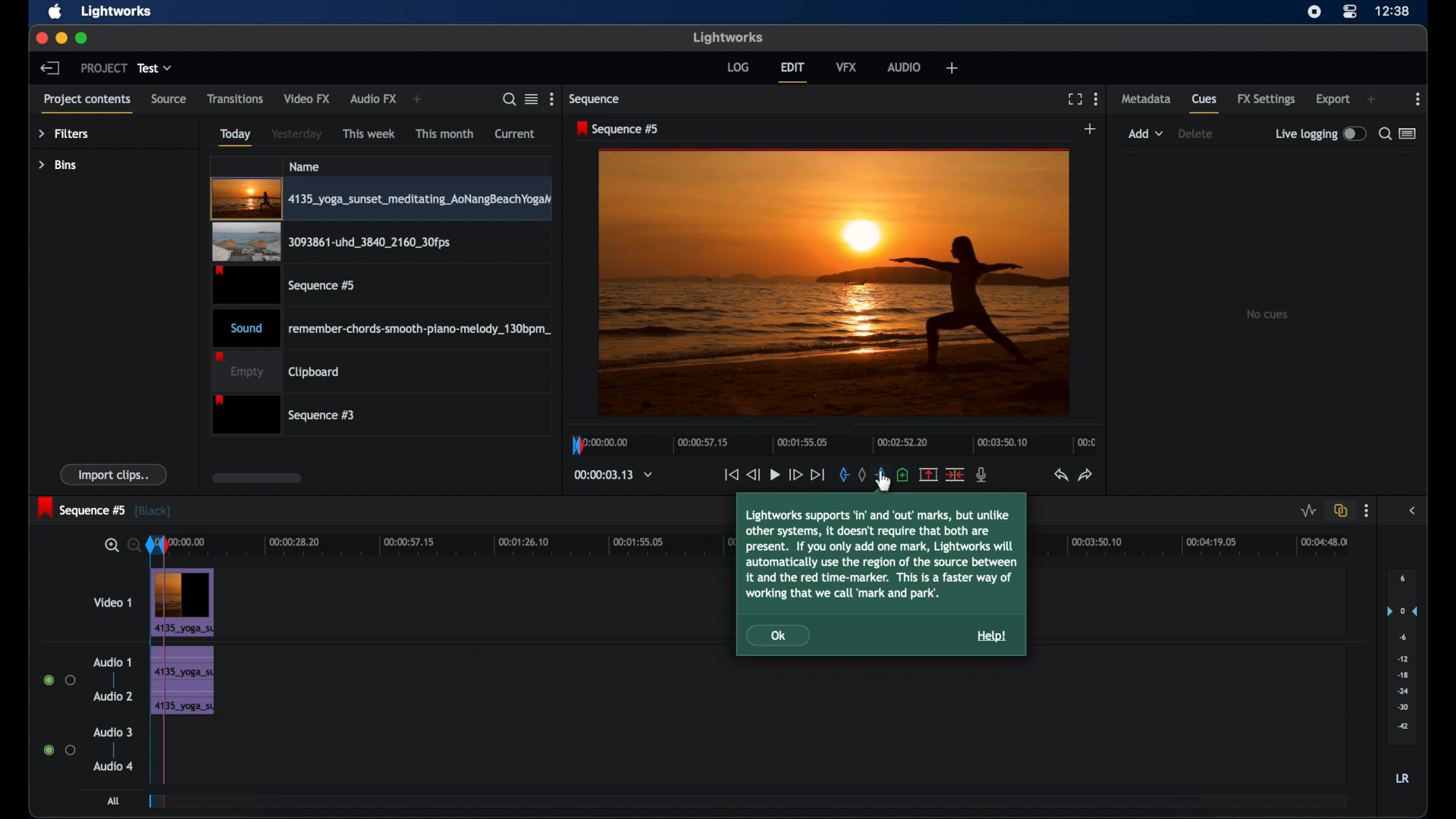 Image resolution: width=1456 pixels, height=819 pixels. Describe the element at coordinates (282, 286) in the screenshot. I see `video clip` at that location.